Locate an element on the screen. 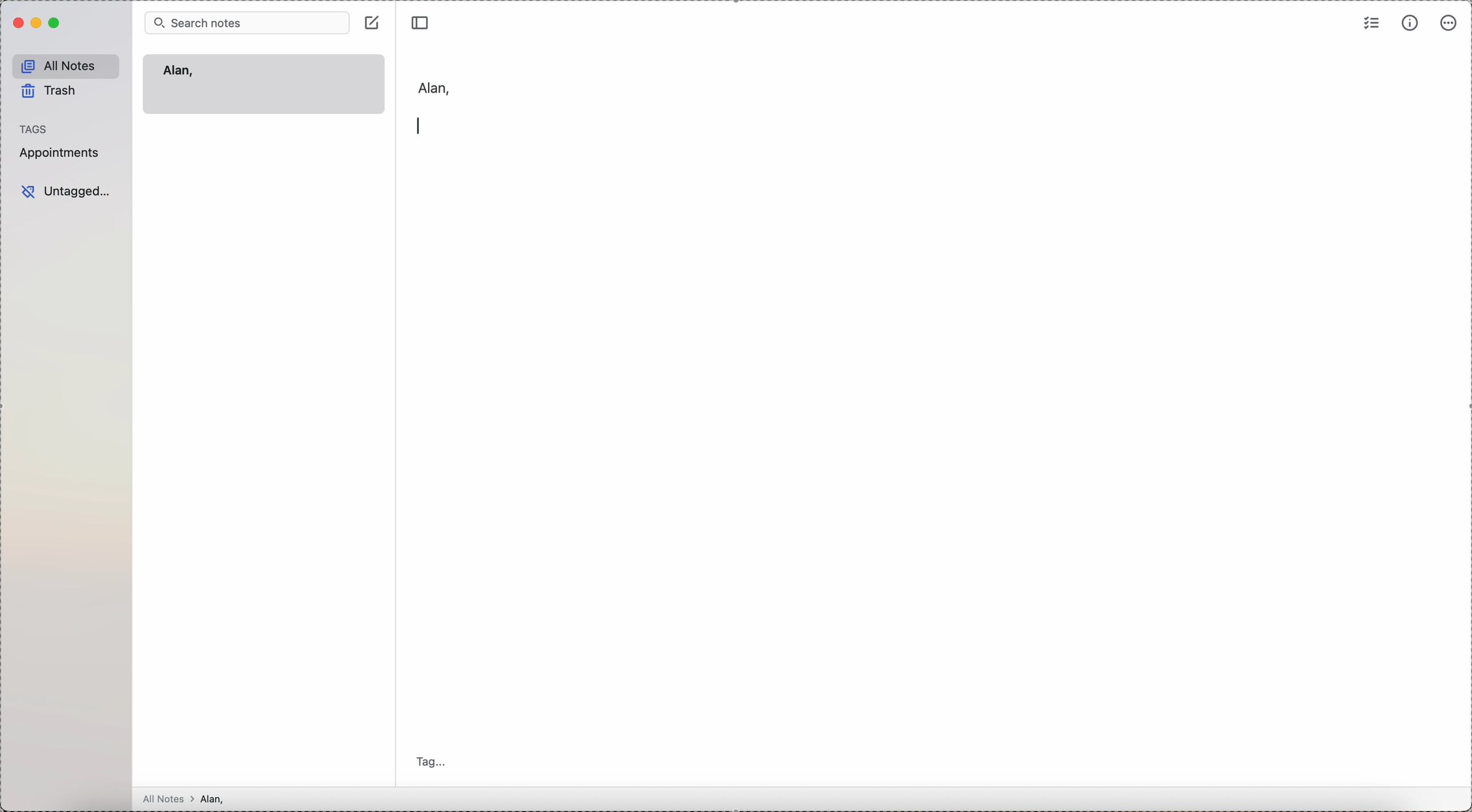 Image resolution: width=1472 pixels, height=812 pixels. all notes > Alan, is located at coordinates (187, 799).